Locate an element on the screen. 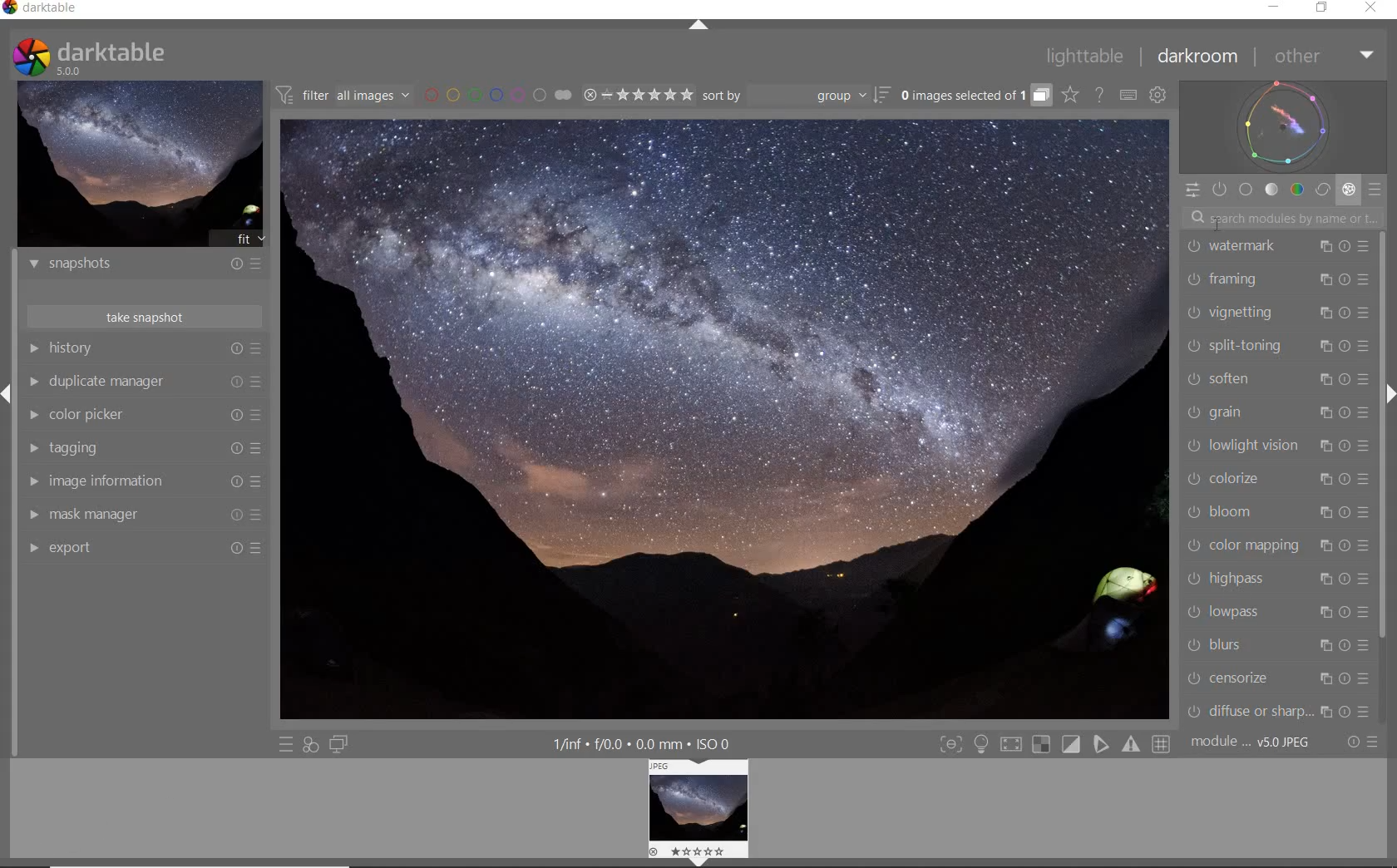  SHOW ONLY ACTIVE MODULES is located at coordinates (1220, 189).